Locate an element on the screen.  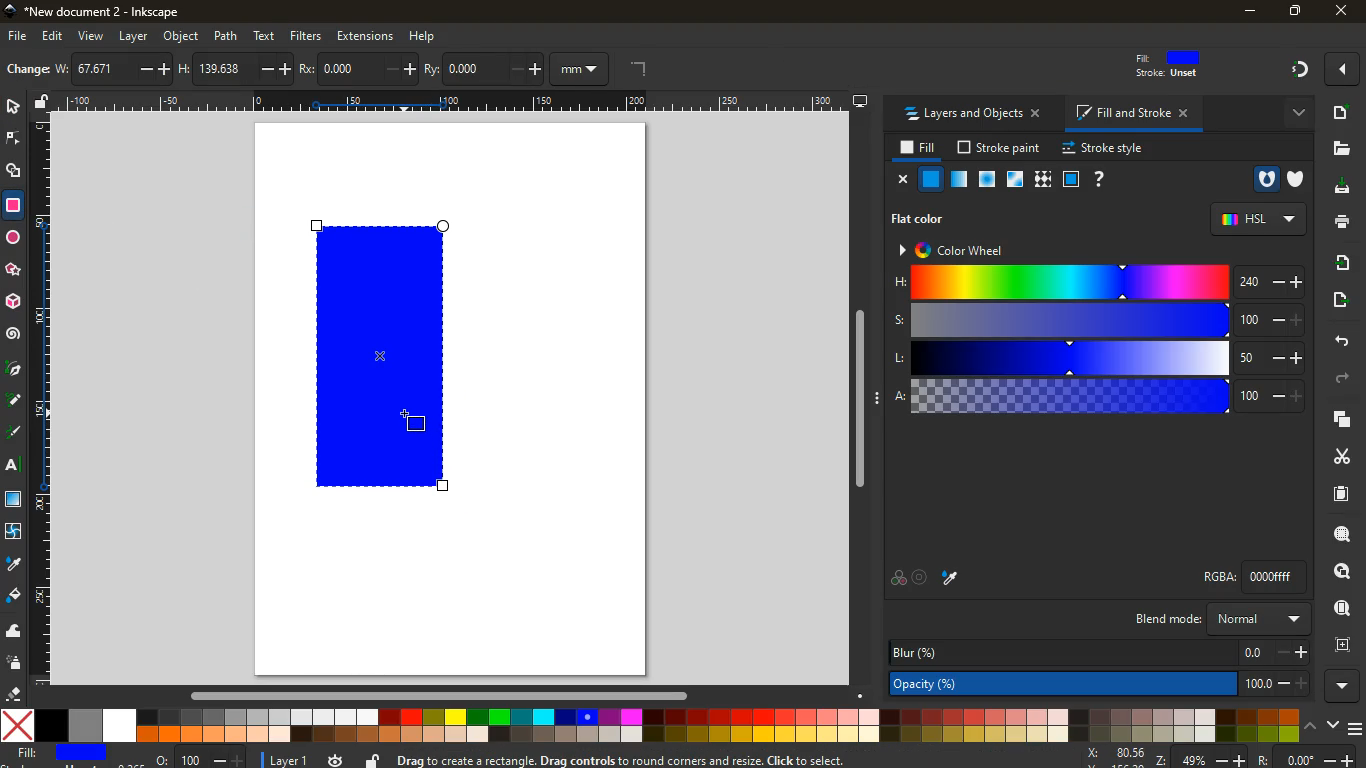
view is located at coordinates (91, 37).